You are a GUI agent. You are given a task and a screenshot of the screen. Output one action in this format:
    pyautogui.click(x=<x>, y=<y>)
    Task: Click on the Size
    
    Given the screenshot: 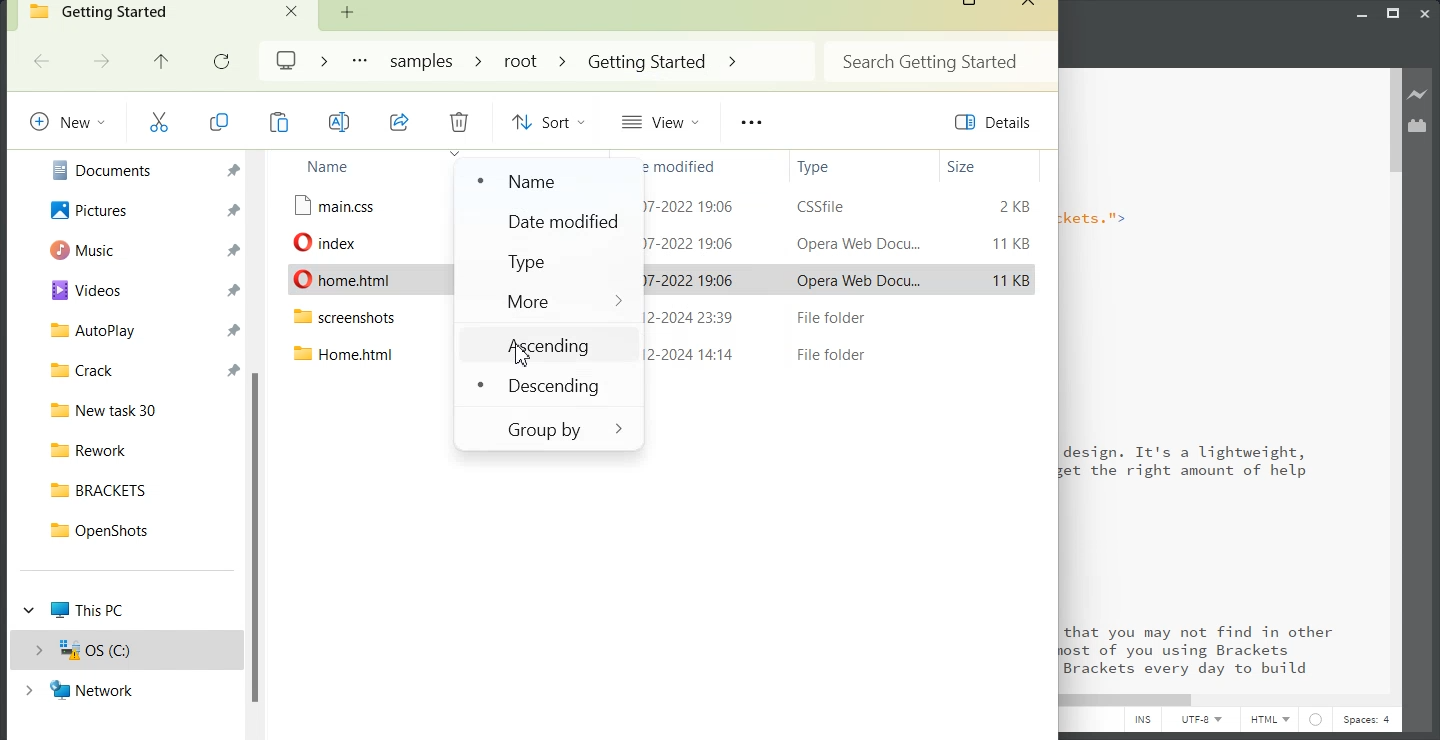 What is the action you would take?
    pyautogui.click(x=986, y=167)
    